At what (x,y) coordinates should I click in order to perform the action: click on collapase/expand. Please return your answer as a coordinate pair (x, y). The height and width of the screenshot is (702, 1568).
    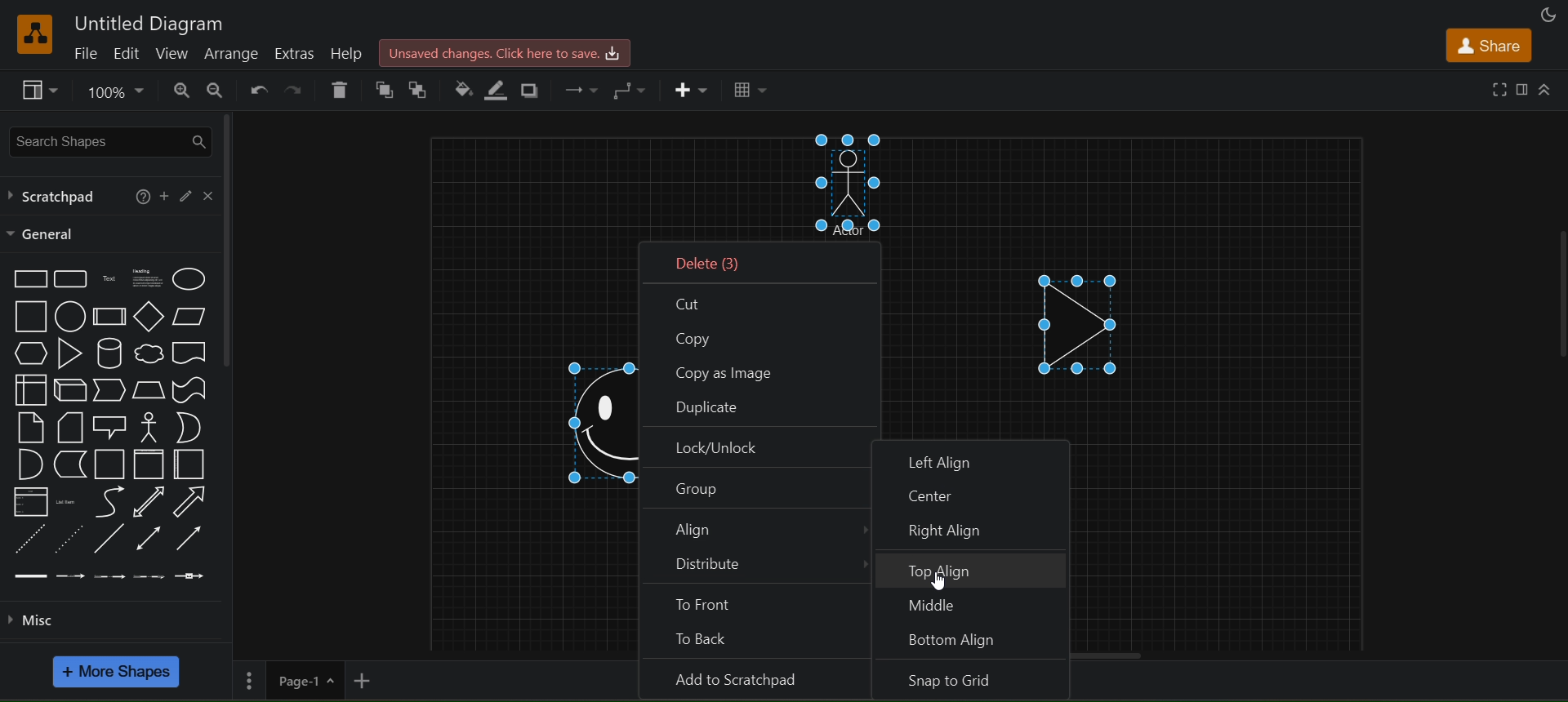
    Looking at the image, I should click on (1547, 91).